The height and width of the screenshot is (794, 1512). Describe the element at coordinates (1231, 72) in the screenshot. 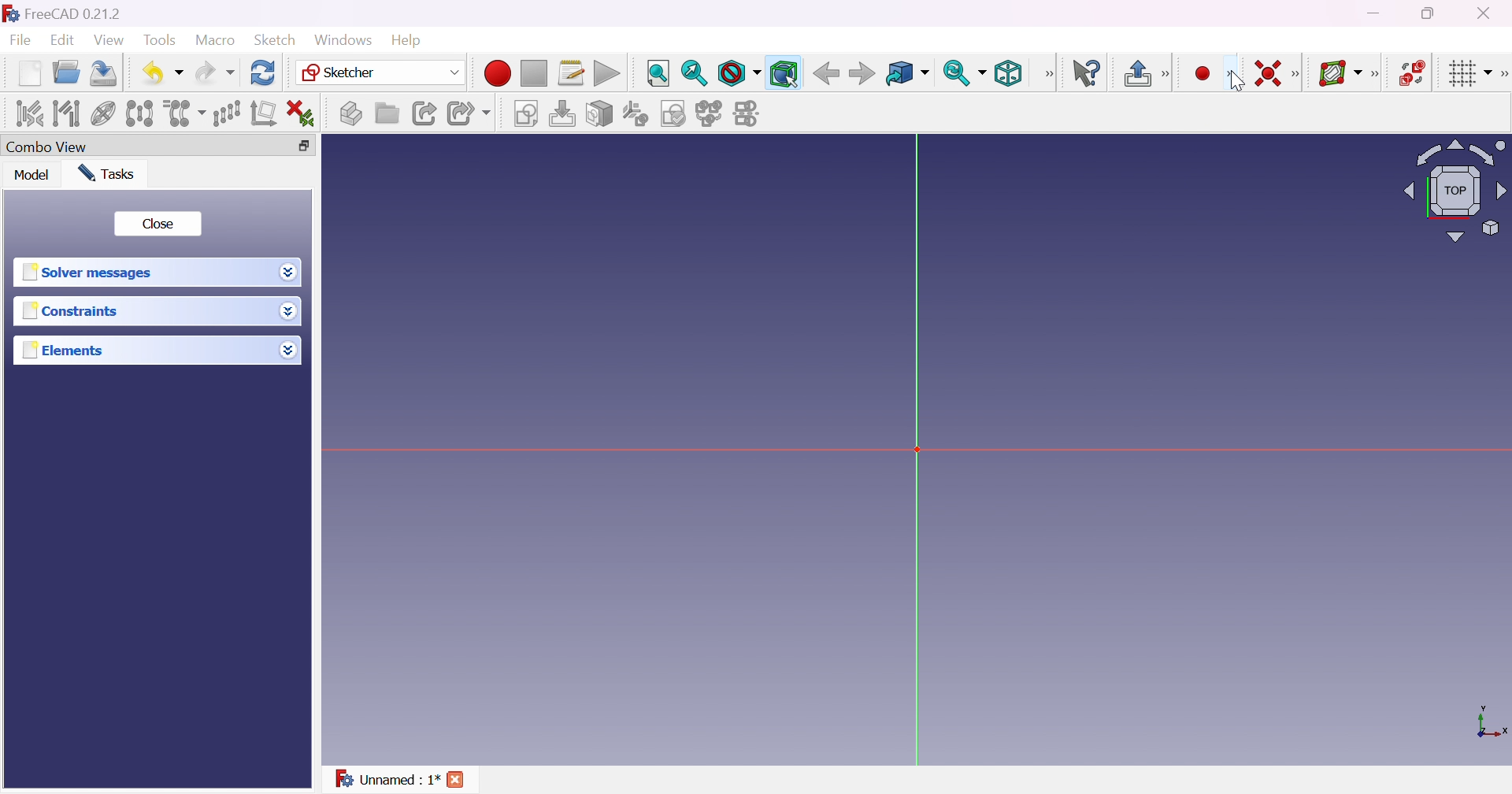

I see `[Sketcher geometrics]` at that location.